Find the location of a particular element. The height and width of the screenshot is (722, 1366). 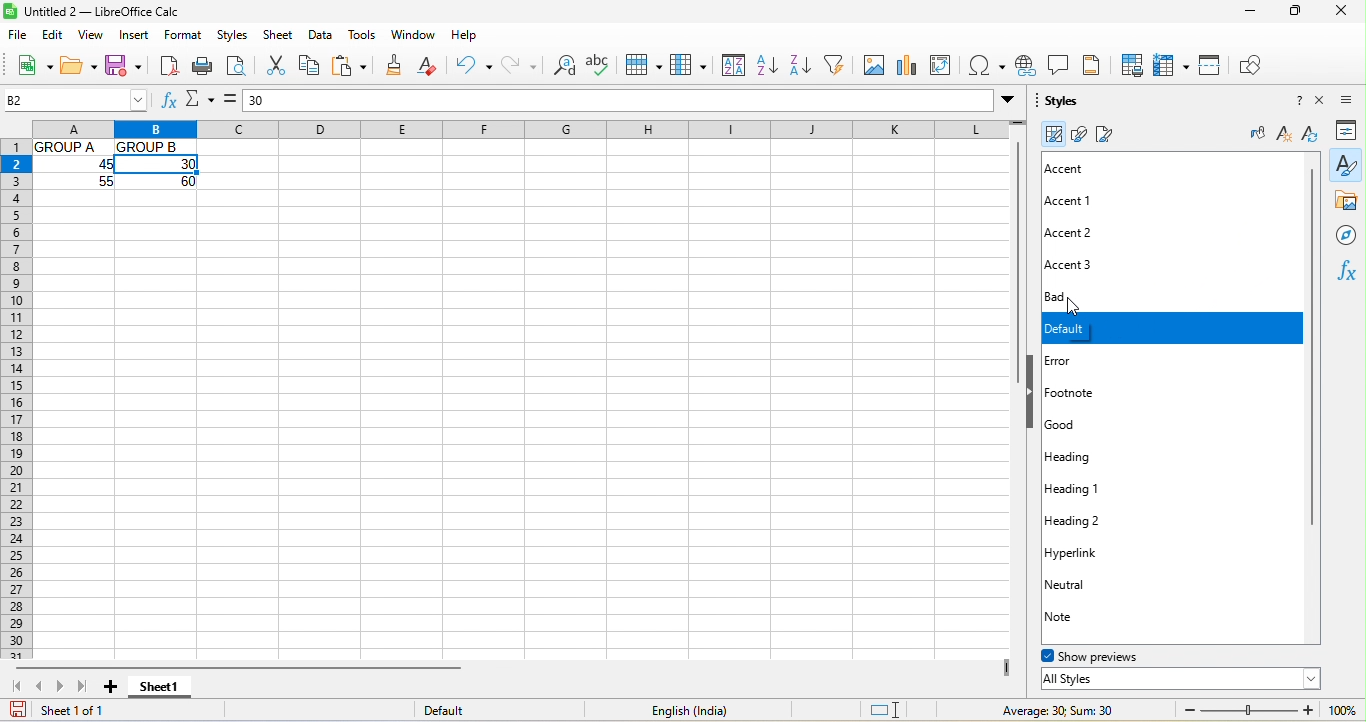

vertical scroll bar is located at coordinates (1319, 349).